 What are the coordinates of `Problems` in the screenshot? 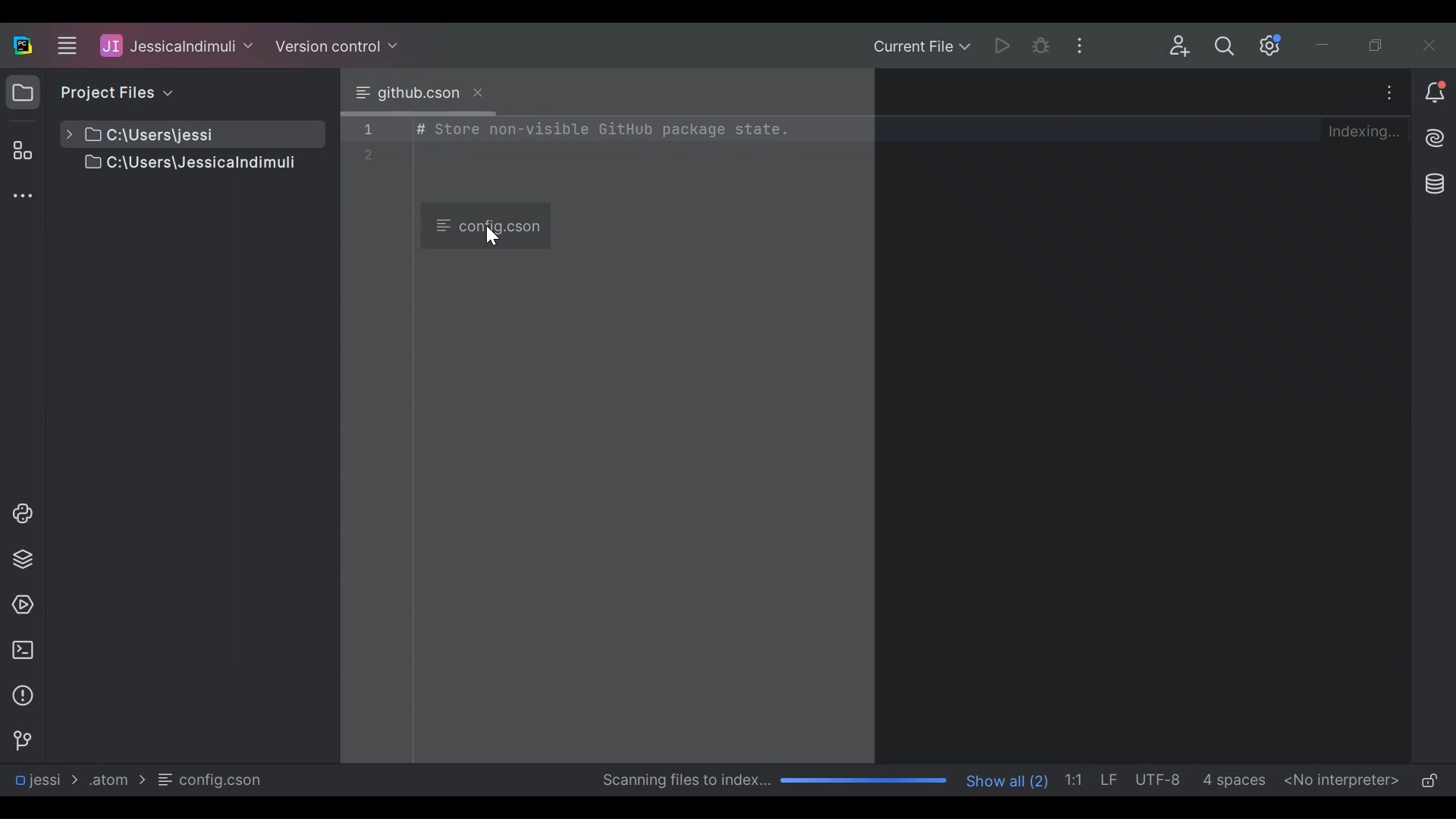 It's located at (23, 695).